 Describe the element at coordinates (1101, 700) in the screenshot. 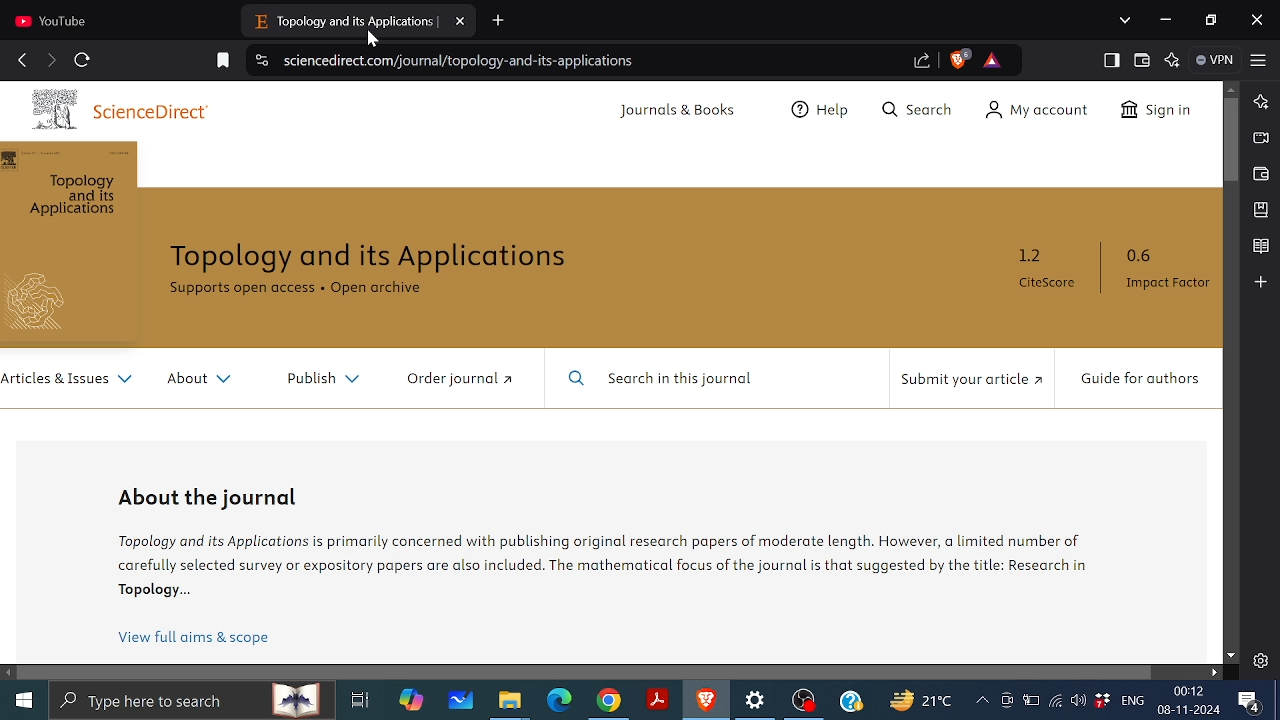

I see `Dropbox` at that location.